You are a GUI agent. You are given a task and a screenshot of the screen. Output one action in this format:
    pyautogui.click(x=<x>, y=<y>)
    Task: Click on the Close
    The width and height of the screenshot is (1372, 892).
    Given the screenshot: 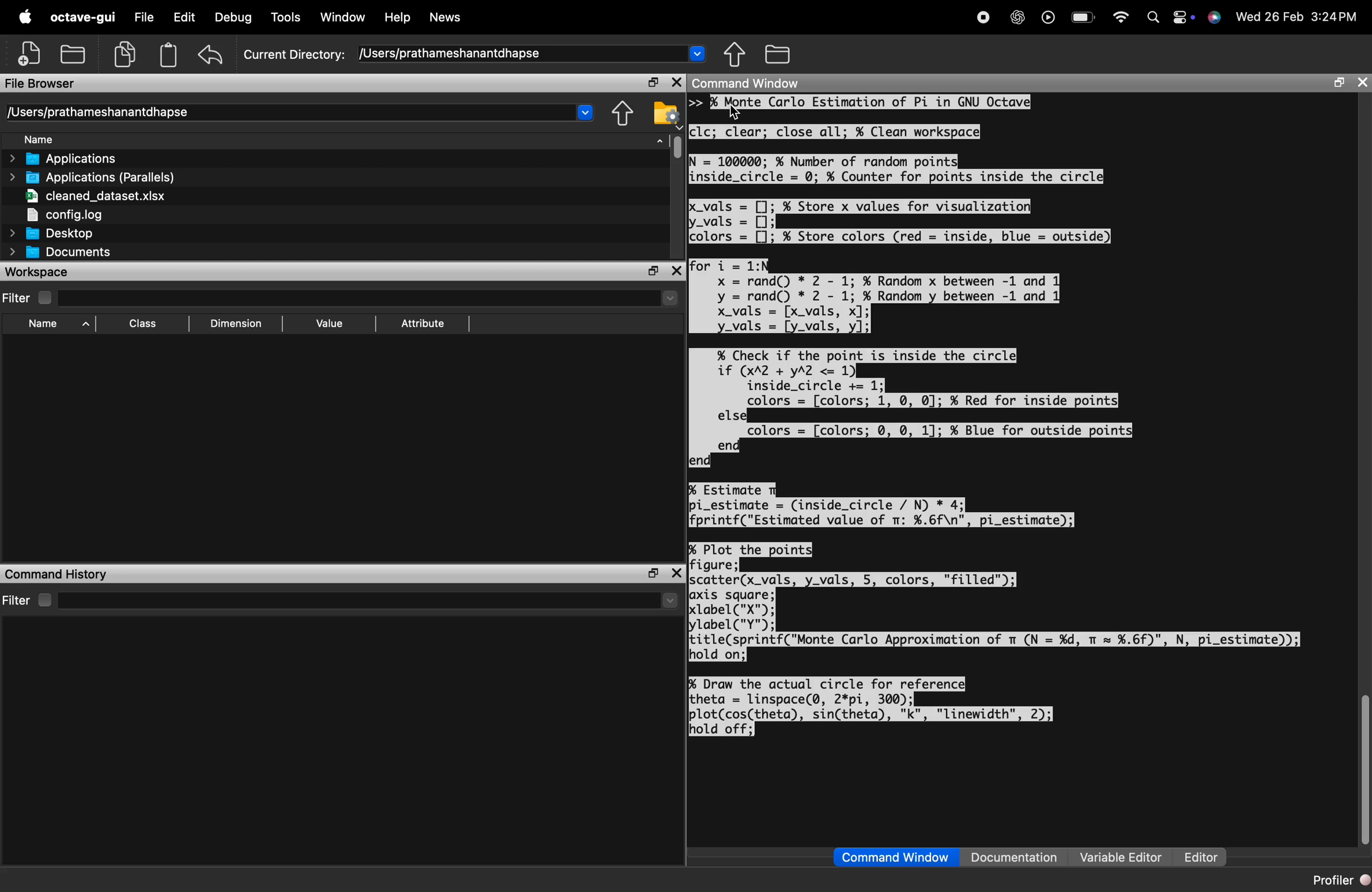 What is the action you would take?
    pyautogui.click(x=675, y=82)
    